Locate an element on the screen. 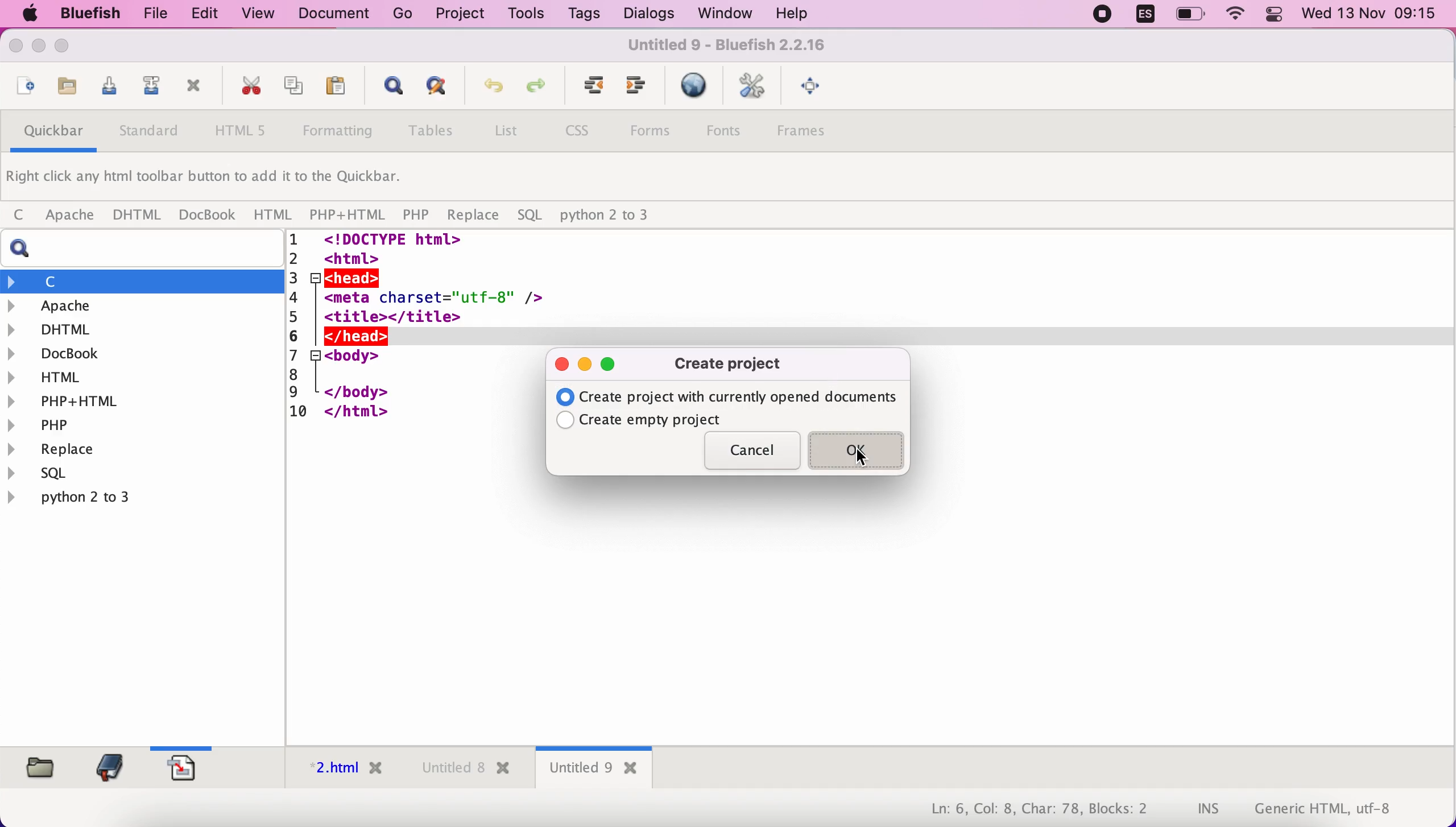  php is located at coordinates (417, 216).